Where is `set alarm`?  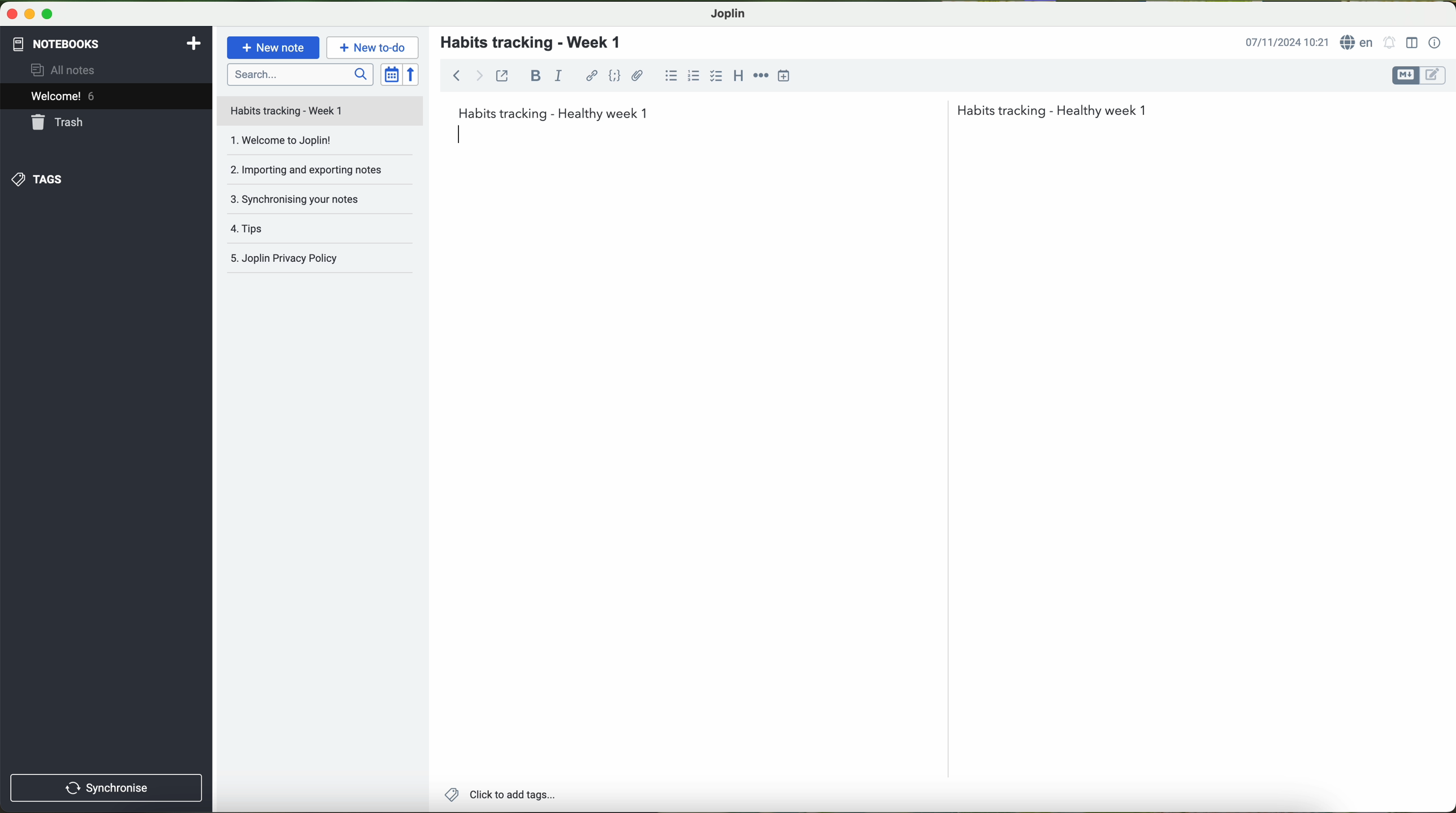 set alarm is located at coordinates (1390, 42).